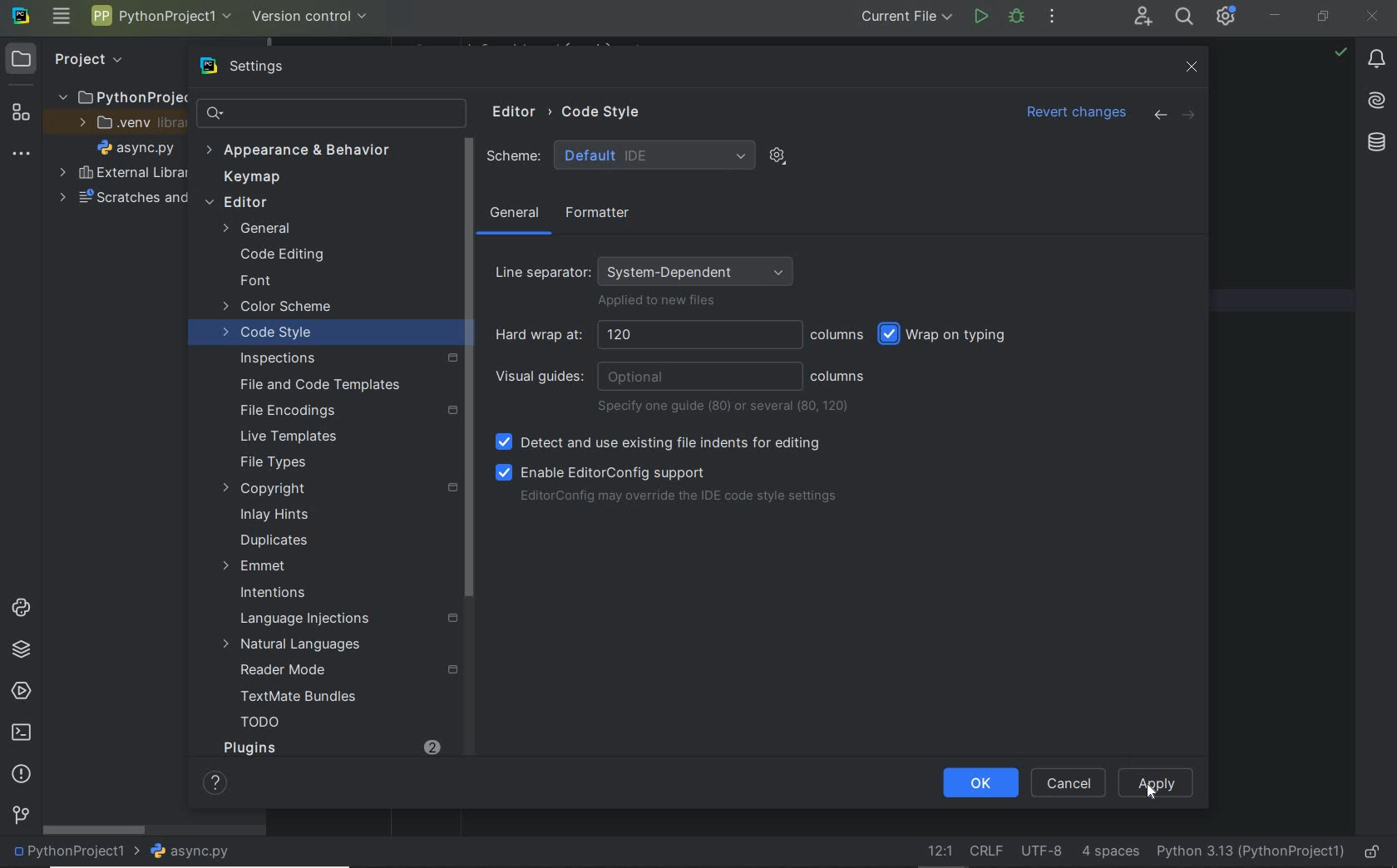 The height and width of the screenshot is (868, 1397). Describe the element at coordinates (468, 370) in the screenshot. I see `Scroll Bar` at that location.